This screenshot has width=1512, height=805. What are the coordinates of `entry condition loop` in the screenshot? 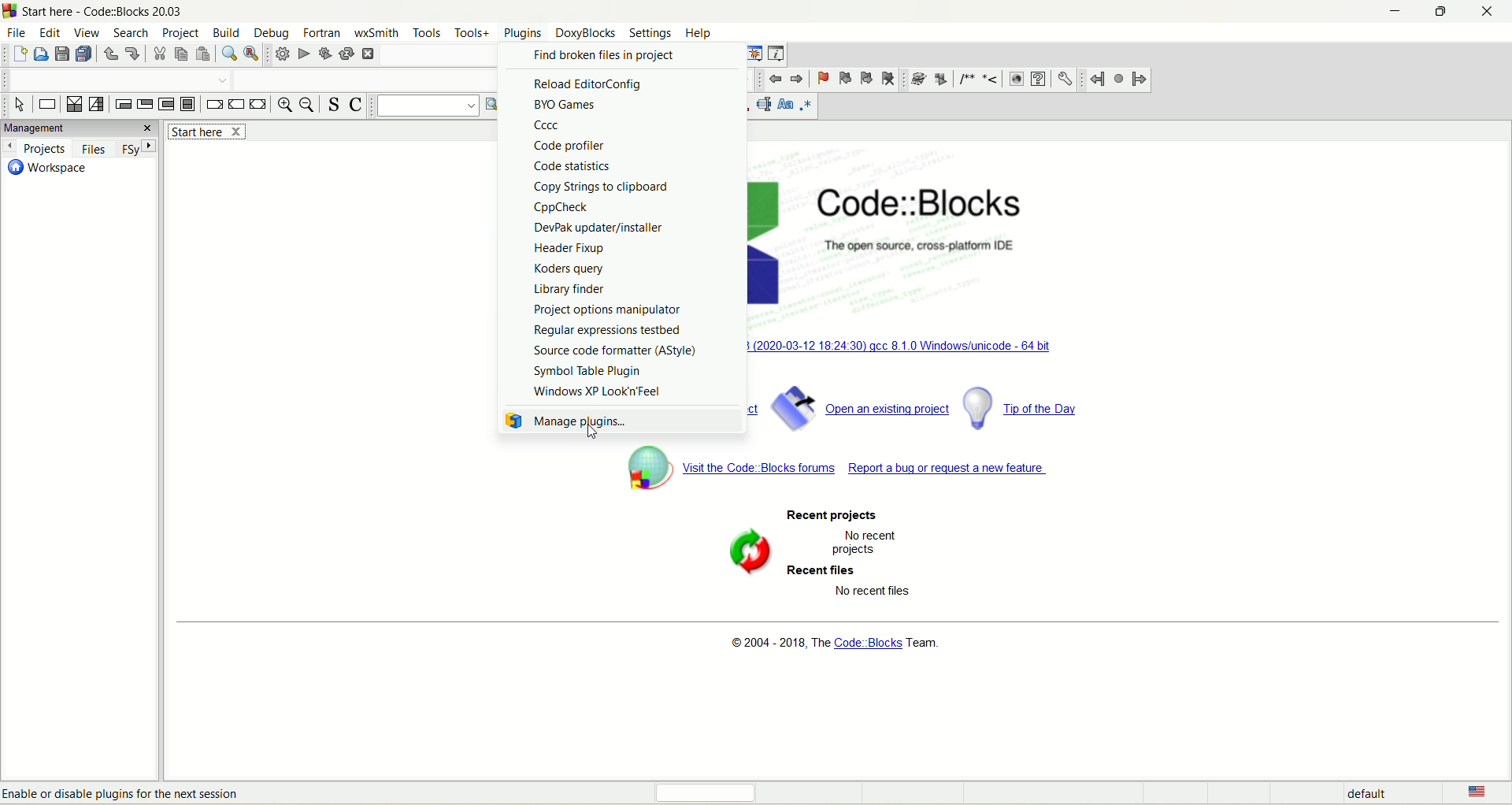 It's located at (121, 105).